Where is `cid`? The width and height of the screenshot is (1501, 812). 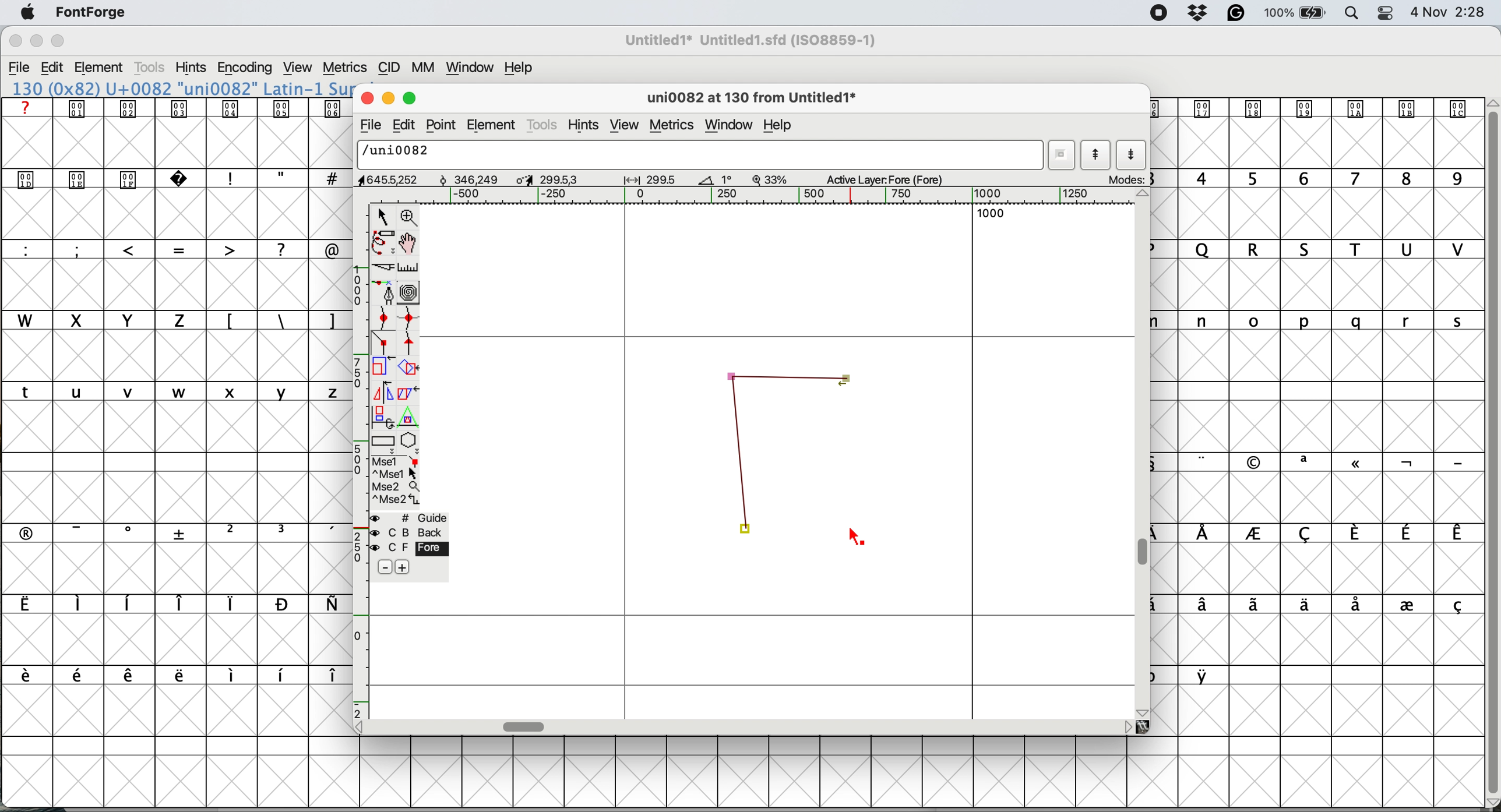
cid is located at coordinates (389, 68).